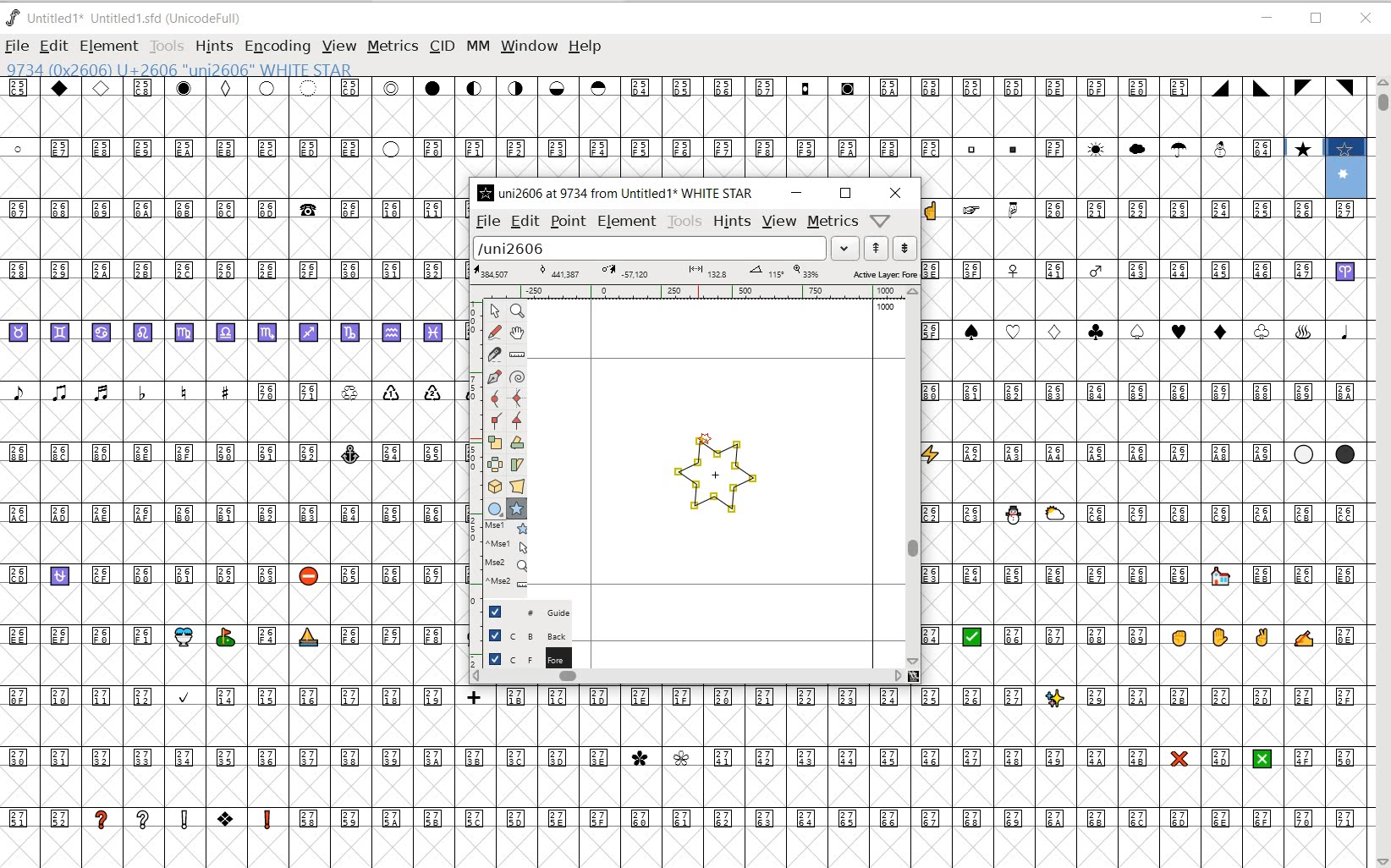 Image resolution: width=1391 pixels, height=868 pixels. Describe the element at coordinates (1381, 472) in the screenshot. I see `SCROLLBAR` at that location.